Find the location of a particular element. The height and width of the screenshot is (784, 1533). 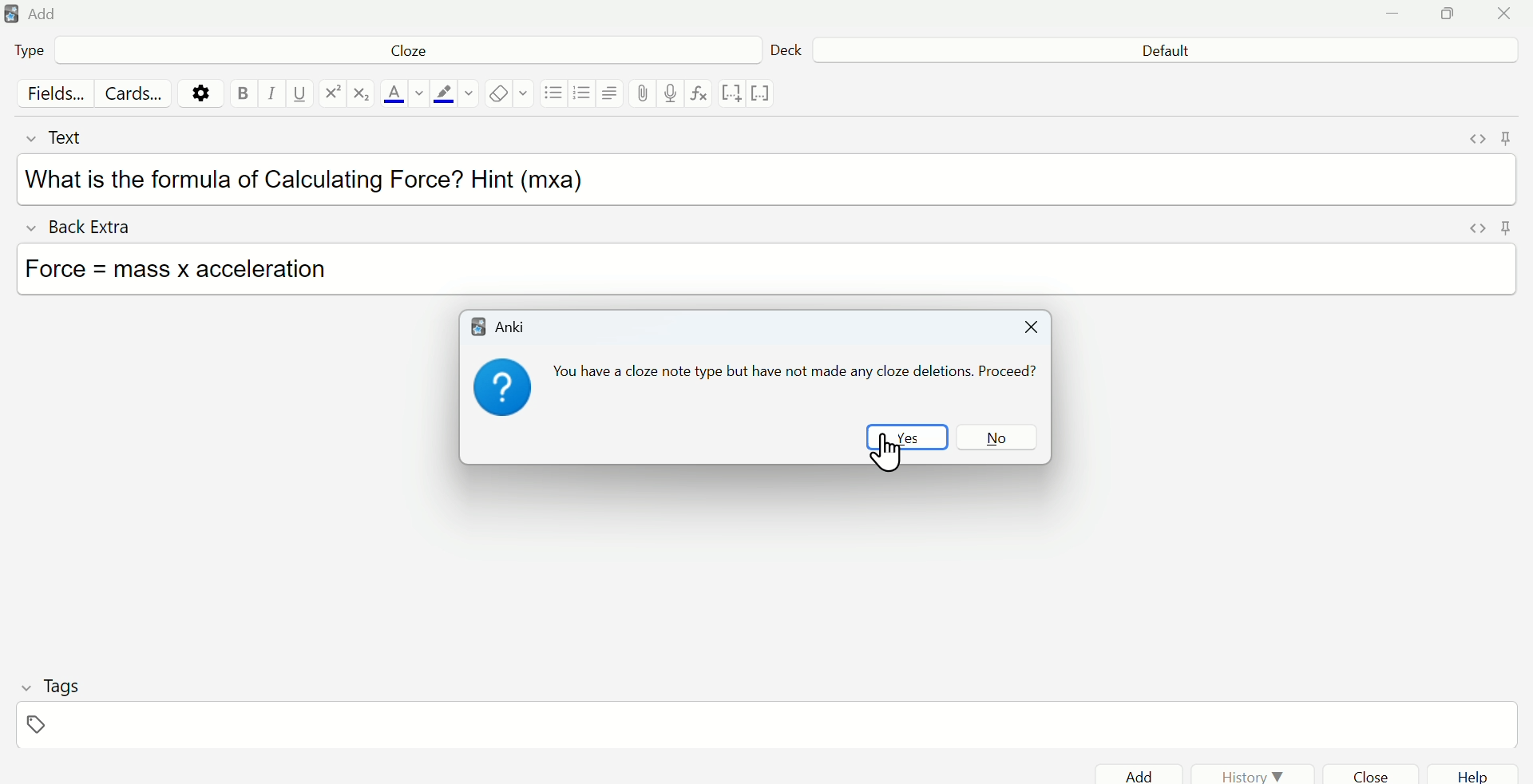

Type is located at coordinates (38, 53).